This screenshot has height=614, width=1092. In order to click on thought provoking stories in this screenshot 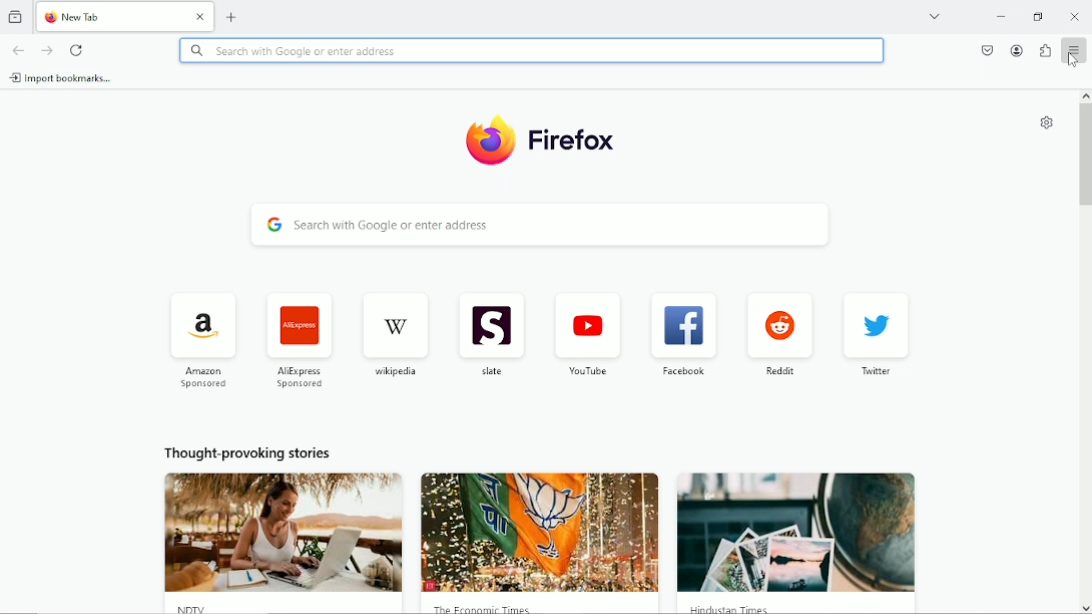, I will do `click(245, 451)`.